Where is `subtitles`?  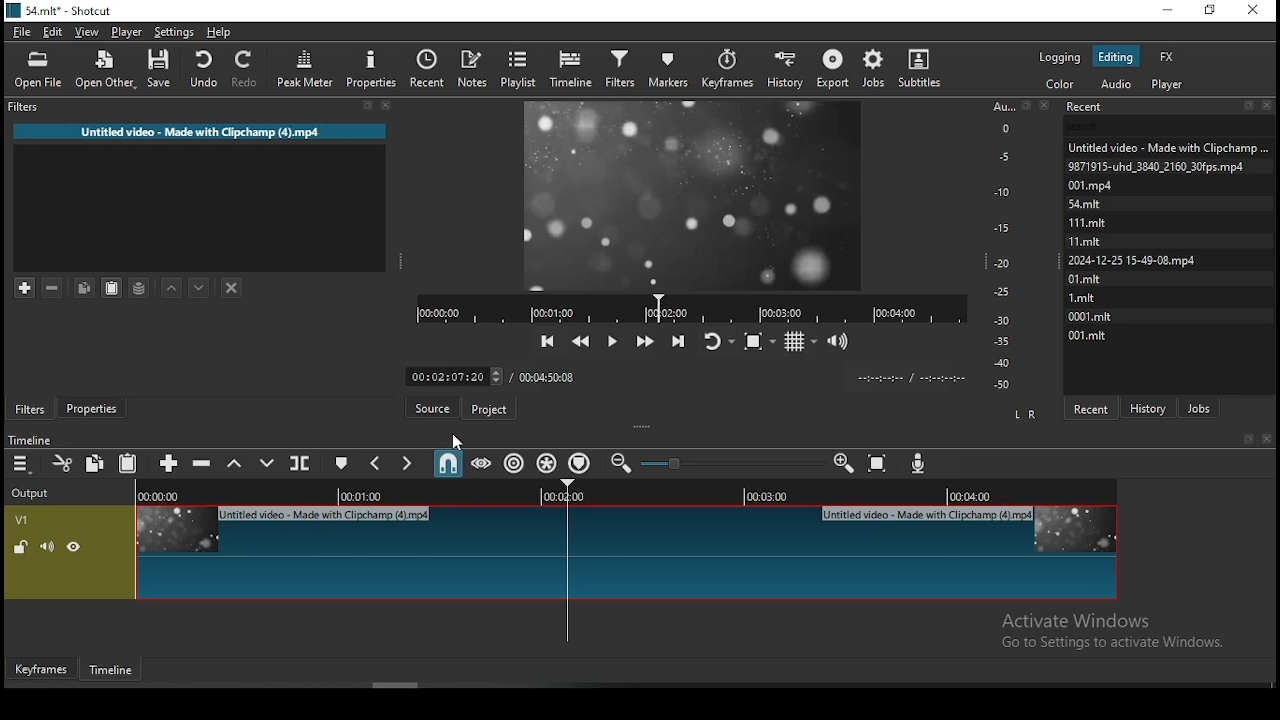
subtitles is located at coordinates (924, 69).